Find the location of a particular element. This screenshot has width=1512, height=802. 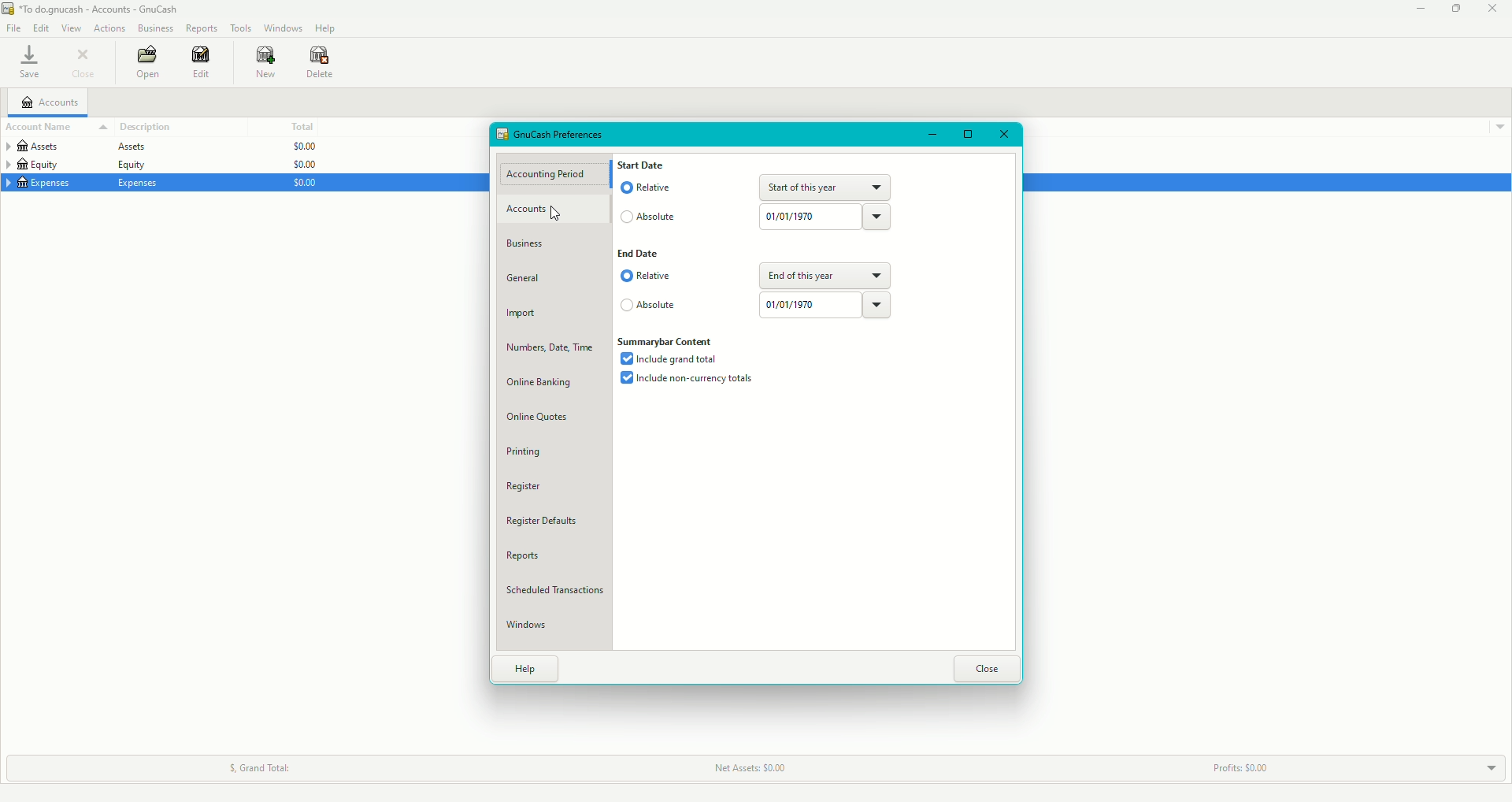

View is located at coordinates (71, 28).